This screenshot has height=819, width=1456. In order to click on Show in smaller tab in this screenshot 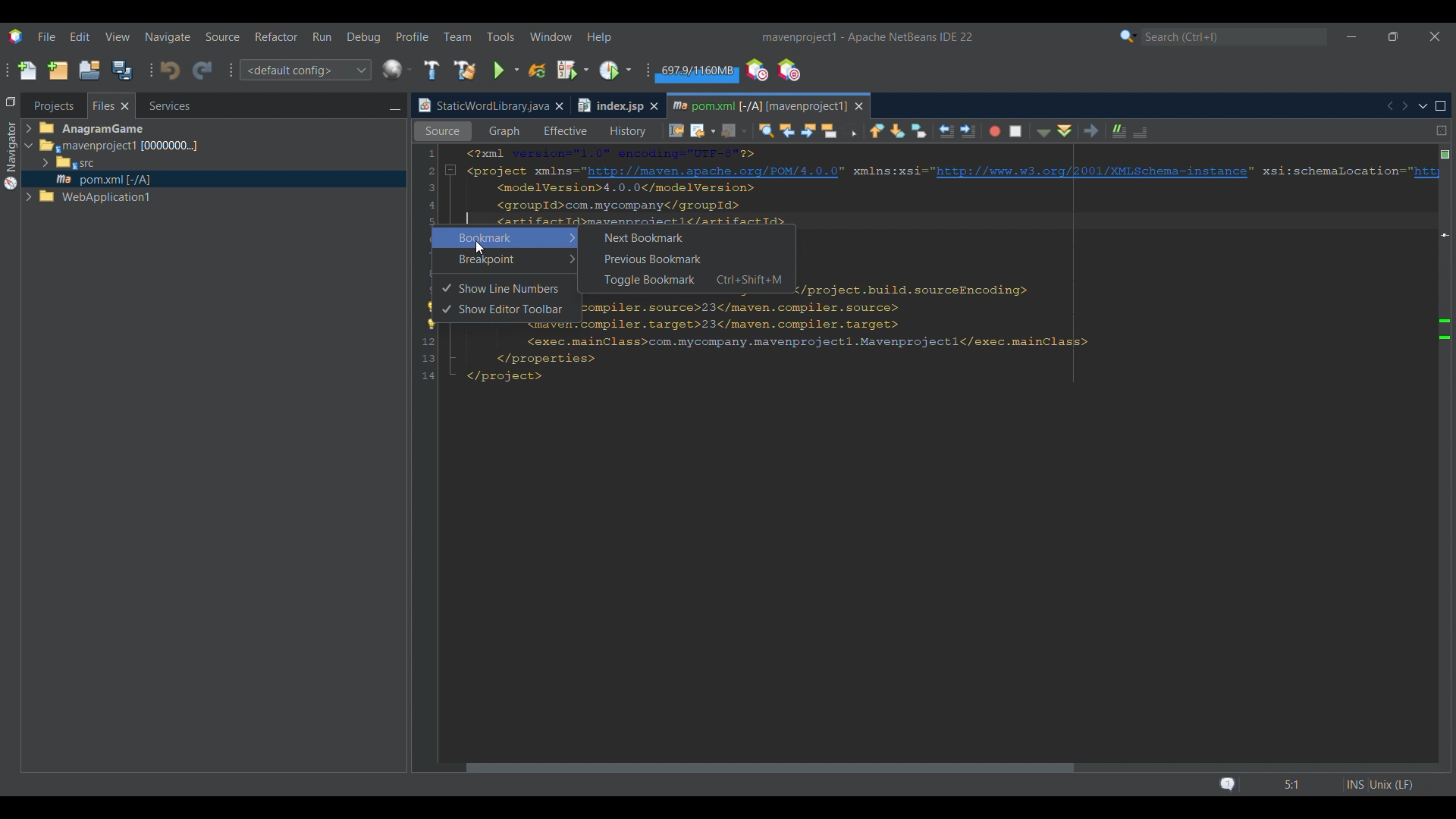, I will do `click(1393, 36)`.